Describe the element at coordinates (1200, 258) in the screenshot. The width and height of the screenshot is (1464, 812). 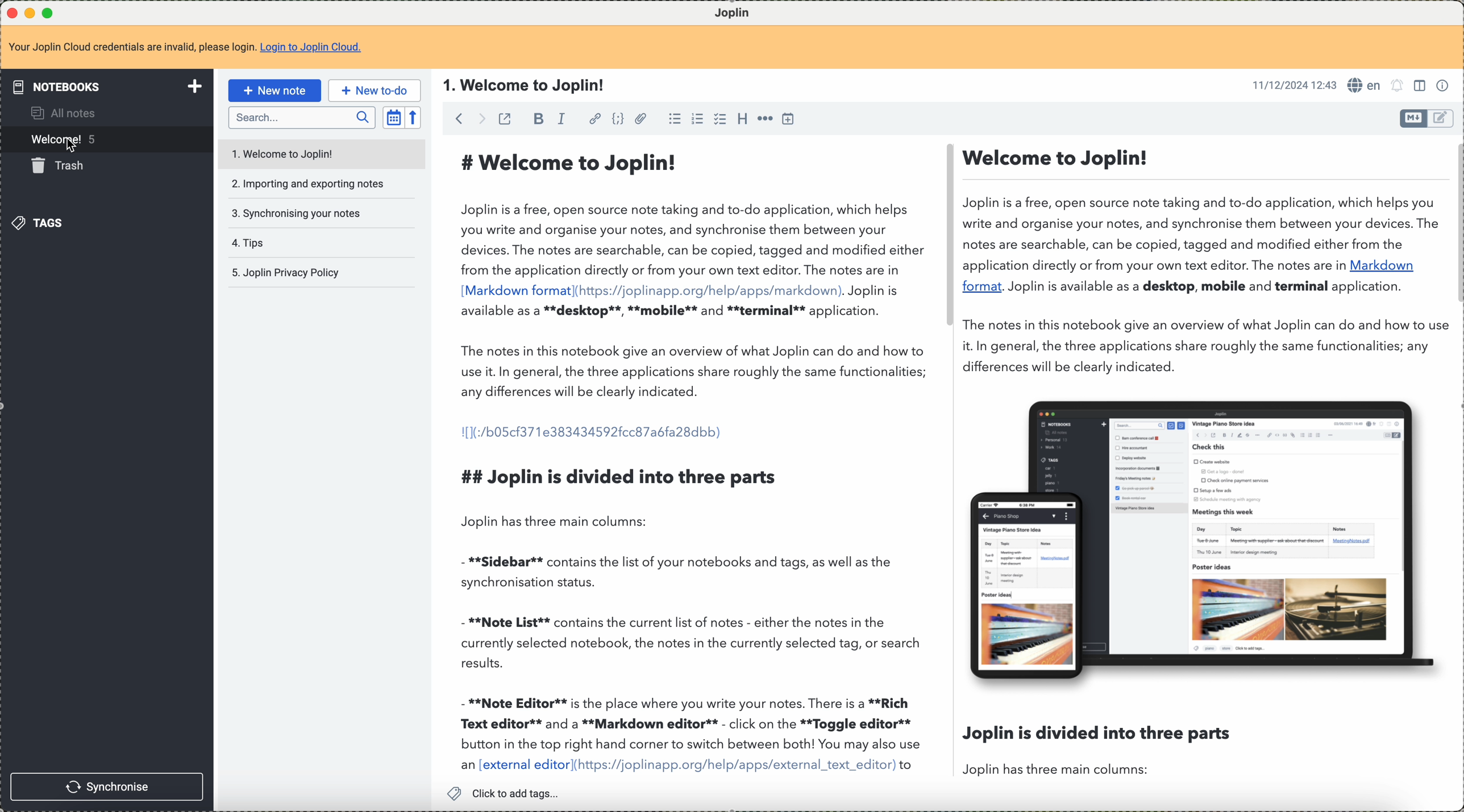
I see `.
Welcome to Joplin!
Joplin is a free, open source note taking and to-do application, which helps you
write and organise your notes, and synchronise them between your devices. The
notes are searchable, can be copied, tagged and modified either from the
application directly or from your own text editor. The notes are in Markdown
format. Joplin is available as a desktop, mobile and terminal application.
The notes in this notebook give an overview of what Joplin can do and how to us
it. In general, the three applications share roughly the same functionalities; any
differences will be clearly indicated.` at that location.